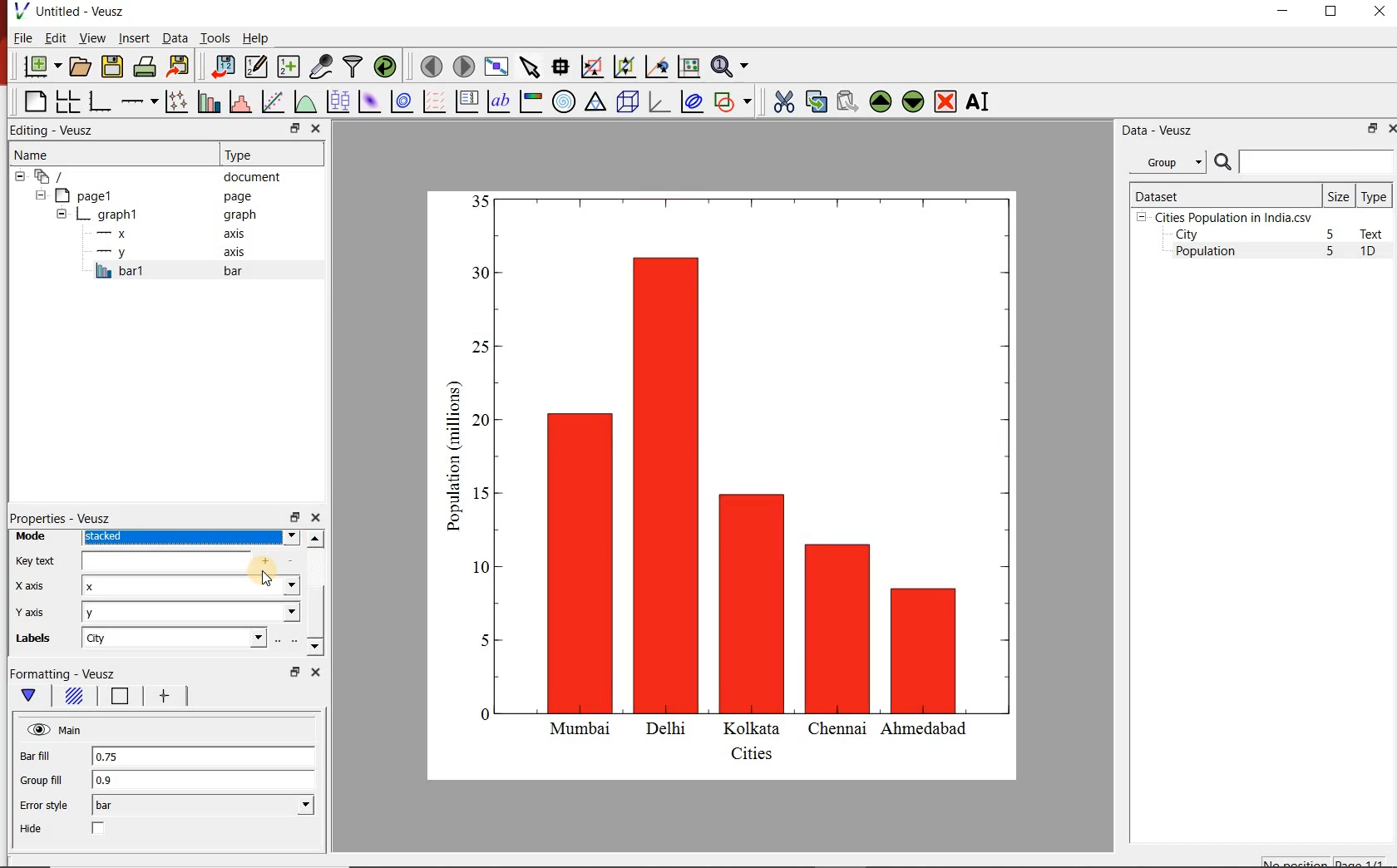  Describe the element at coordinates (979, 101) in the screenshot. I see `renames the selected widget` at that location.